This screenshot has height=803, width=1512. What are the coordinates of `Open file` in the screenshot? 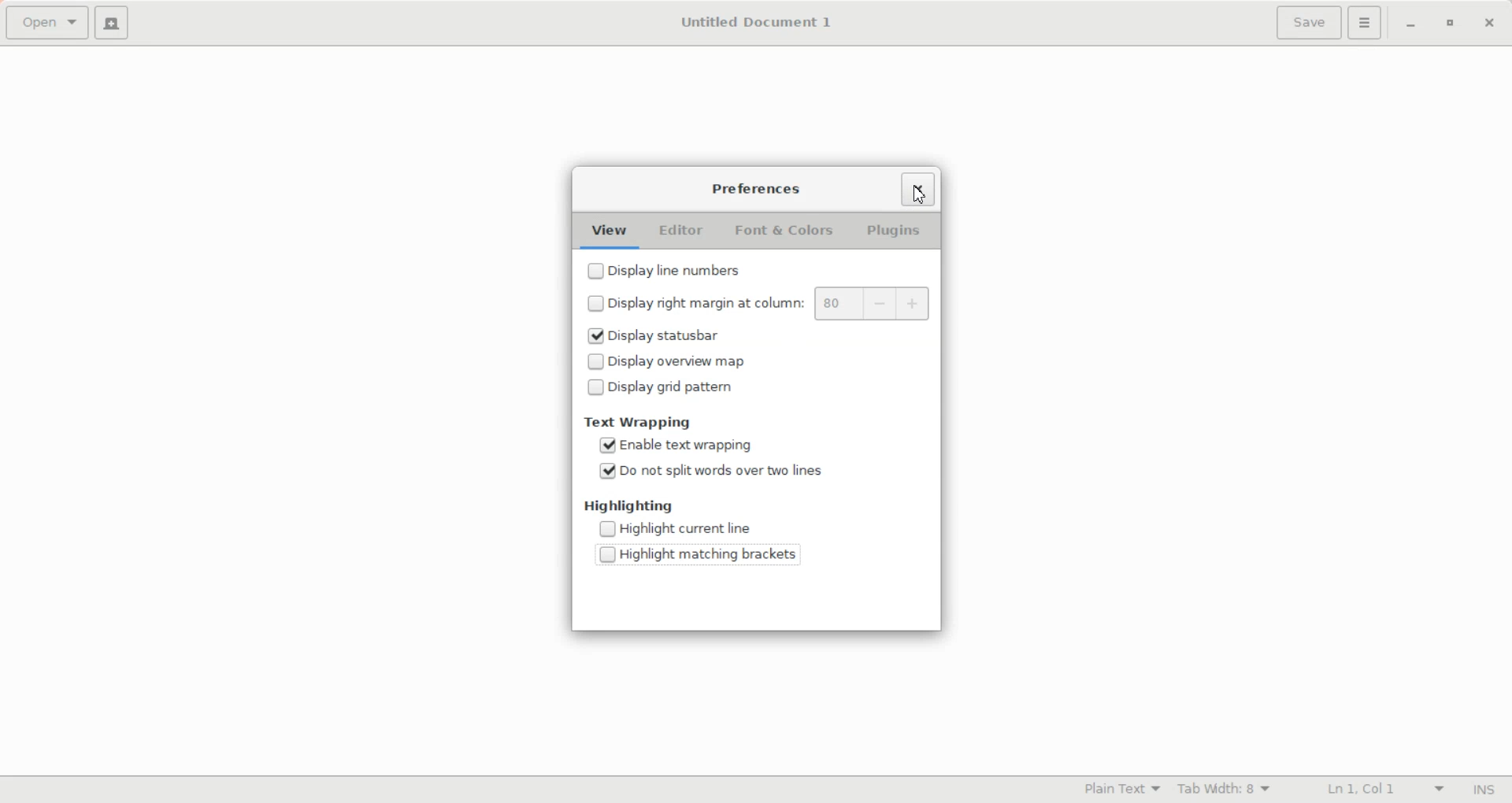 It's located at (46, 24).